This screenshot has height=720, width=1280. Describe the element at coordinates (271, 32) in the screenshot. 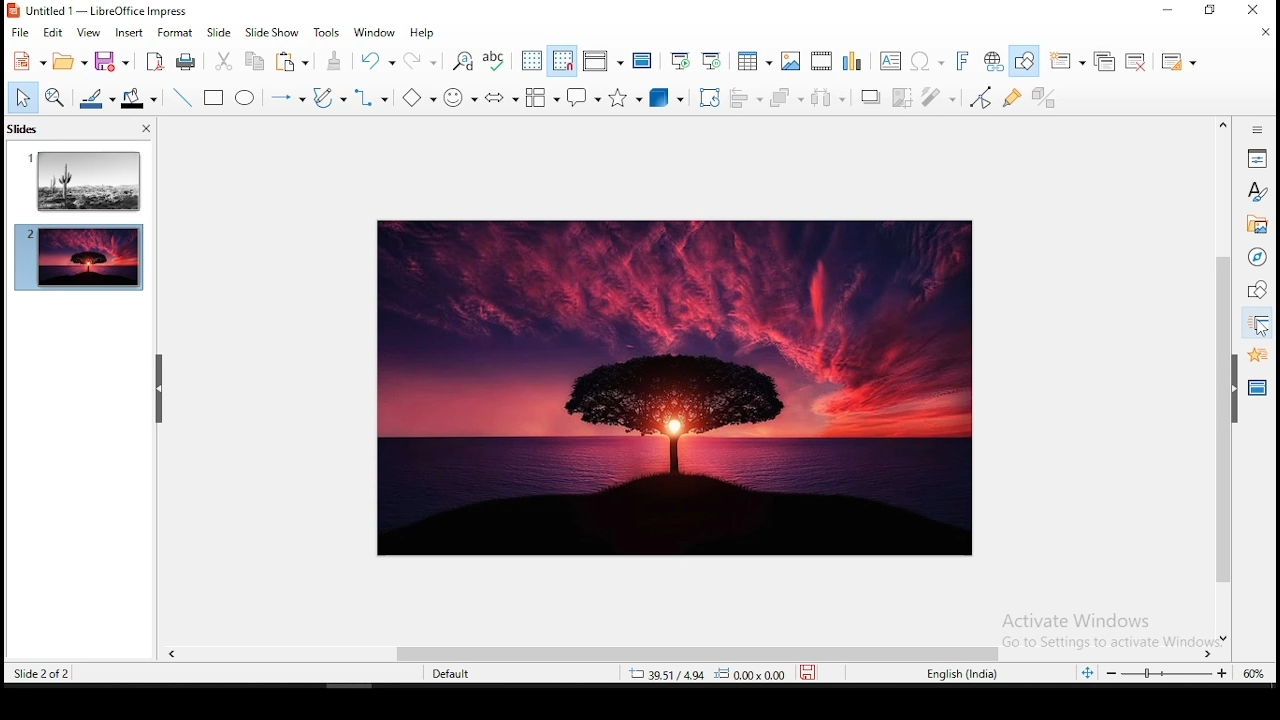

I see `slide show` at that location.